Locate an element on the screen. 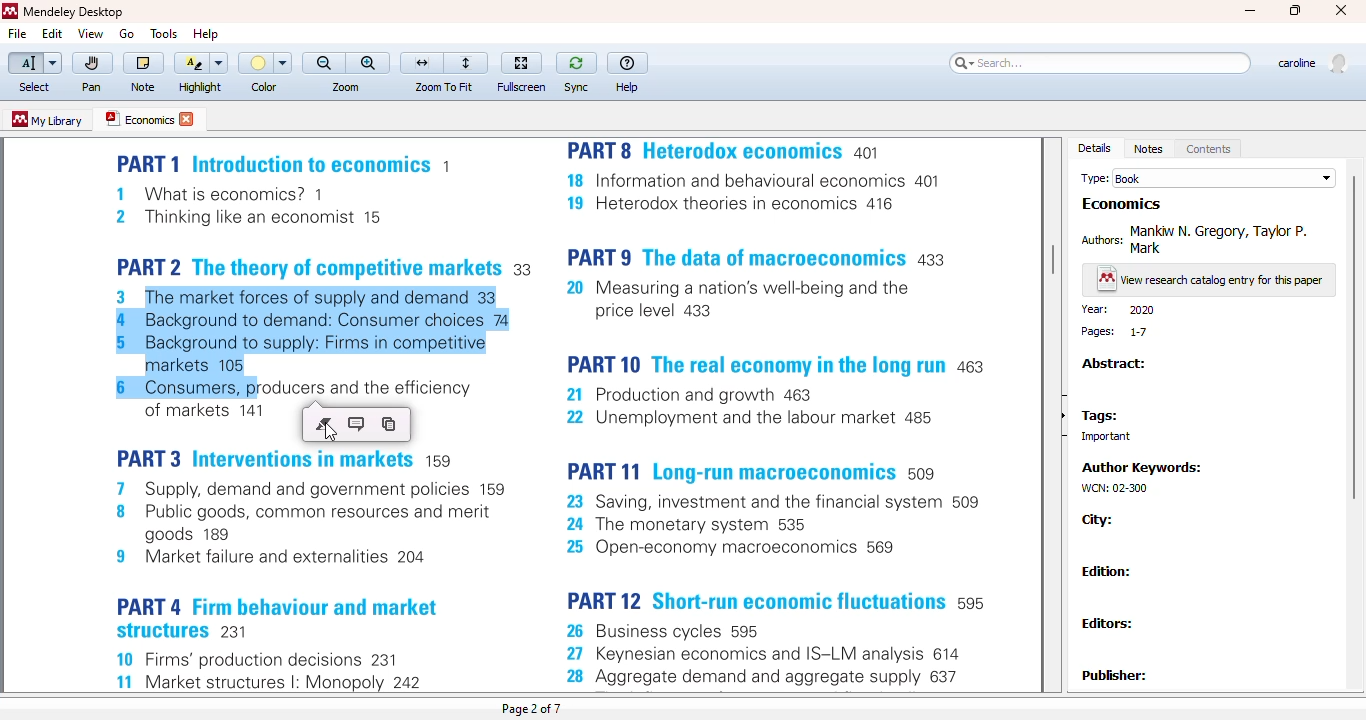 The image size is (1366, 720). pdf text is located at coordinates (764, 413).